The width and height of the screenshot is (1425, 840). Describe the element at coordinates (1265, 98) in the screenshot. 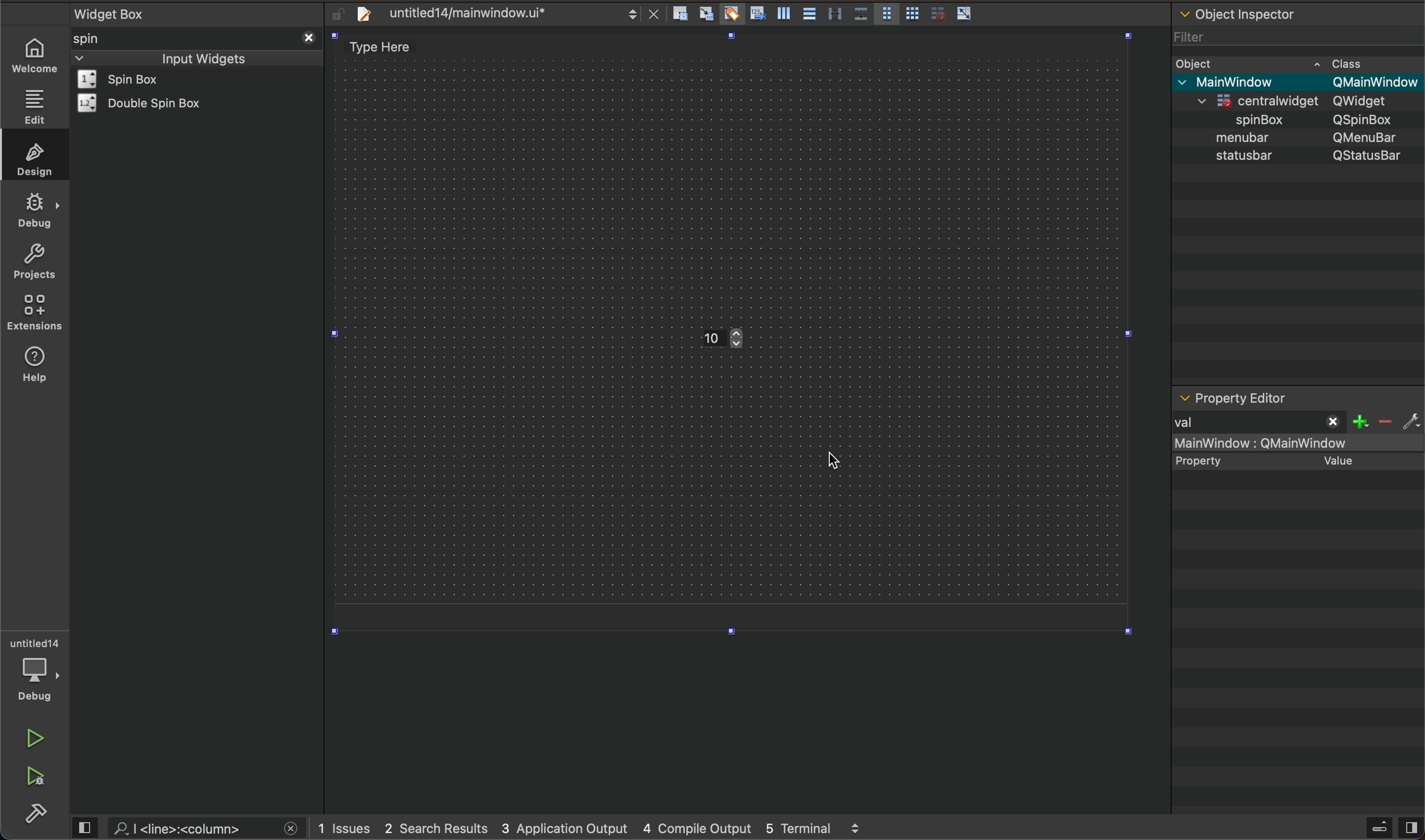

I see `` at that location.